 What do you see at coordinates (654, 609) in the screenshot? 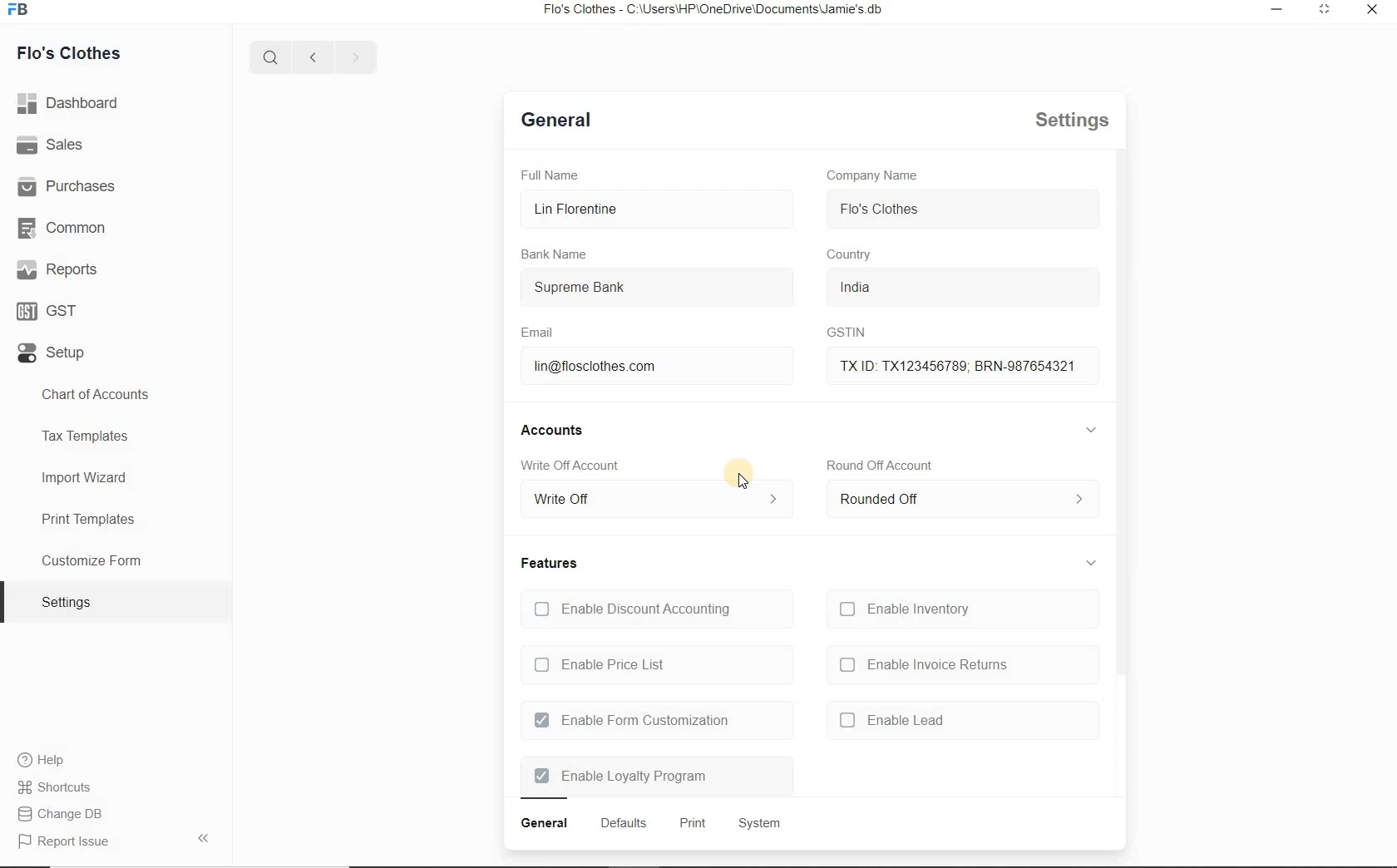
I see `OO Enable Discount Accounting` at bounding box center [654, 609].